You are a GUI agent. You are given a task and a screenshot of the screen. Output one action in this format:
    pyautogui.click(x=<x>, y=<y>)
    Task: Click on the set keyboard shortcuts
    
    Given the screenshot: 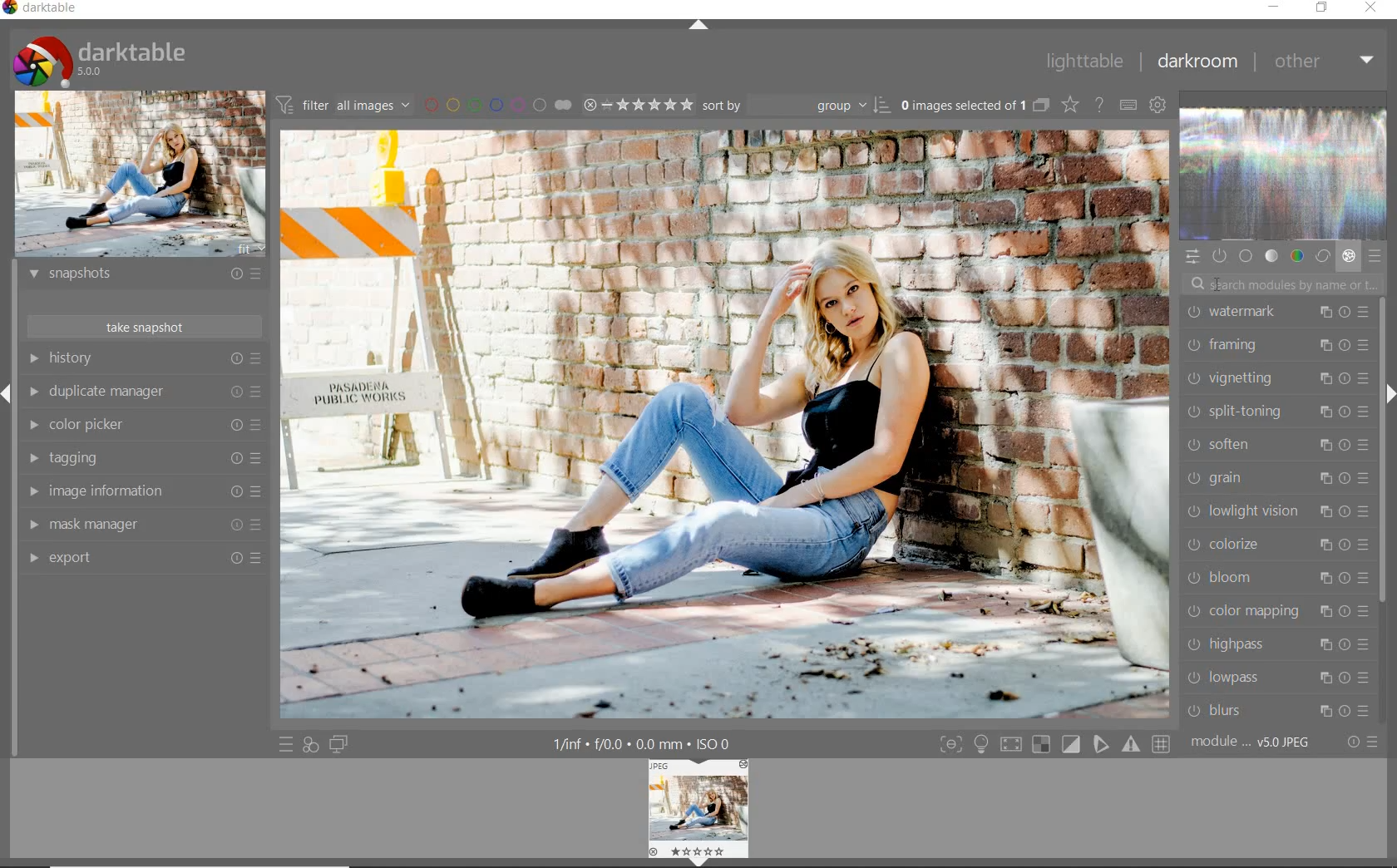 What is the action you would take?
    pyautogui.click(x=1128, y=106)
    